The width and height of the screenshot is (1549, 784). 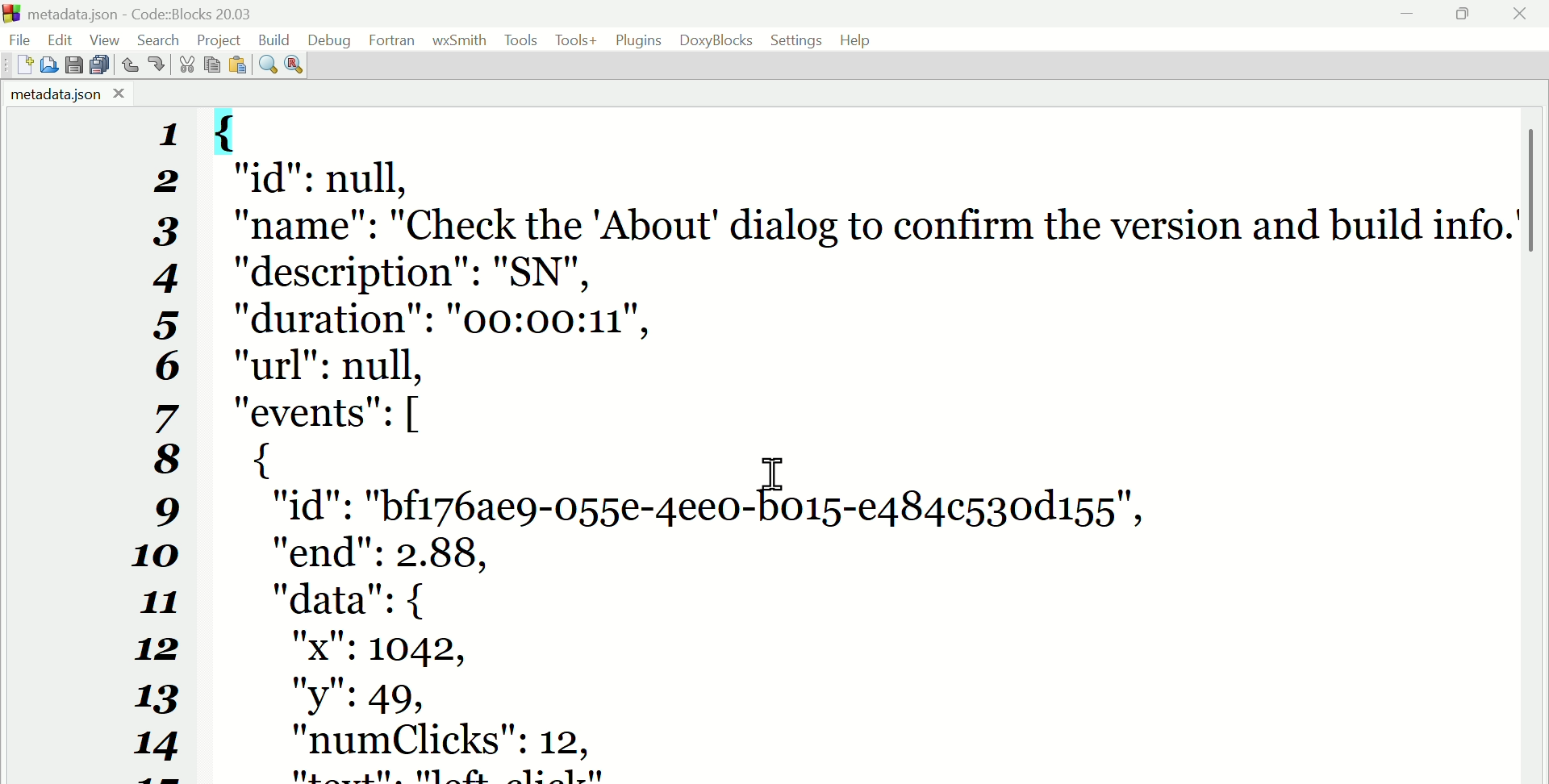 I want to click on New, so click(x=19, y=67).